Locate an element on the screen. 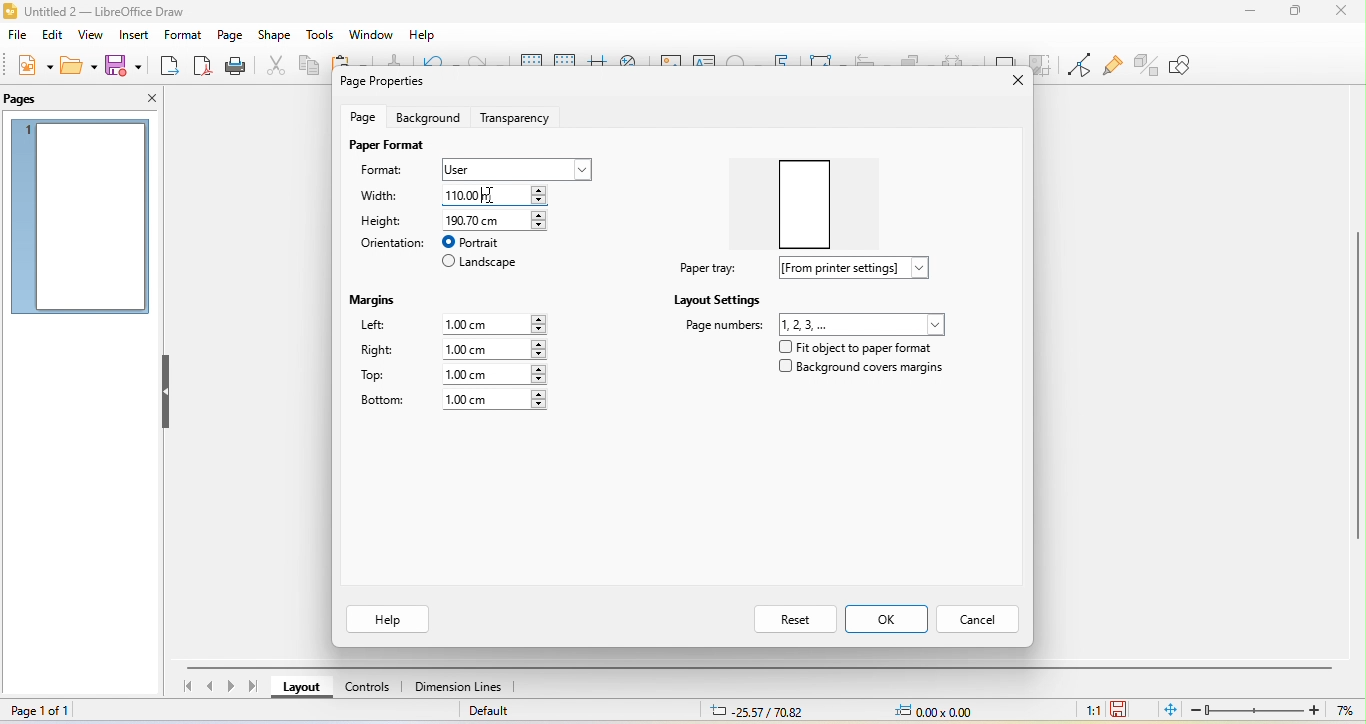  landscape is located at coordinates (481, 264).